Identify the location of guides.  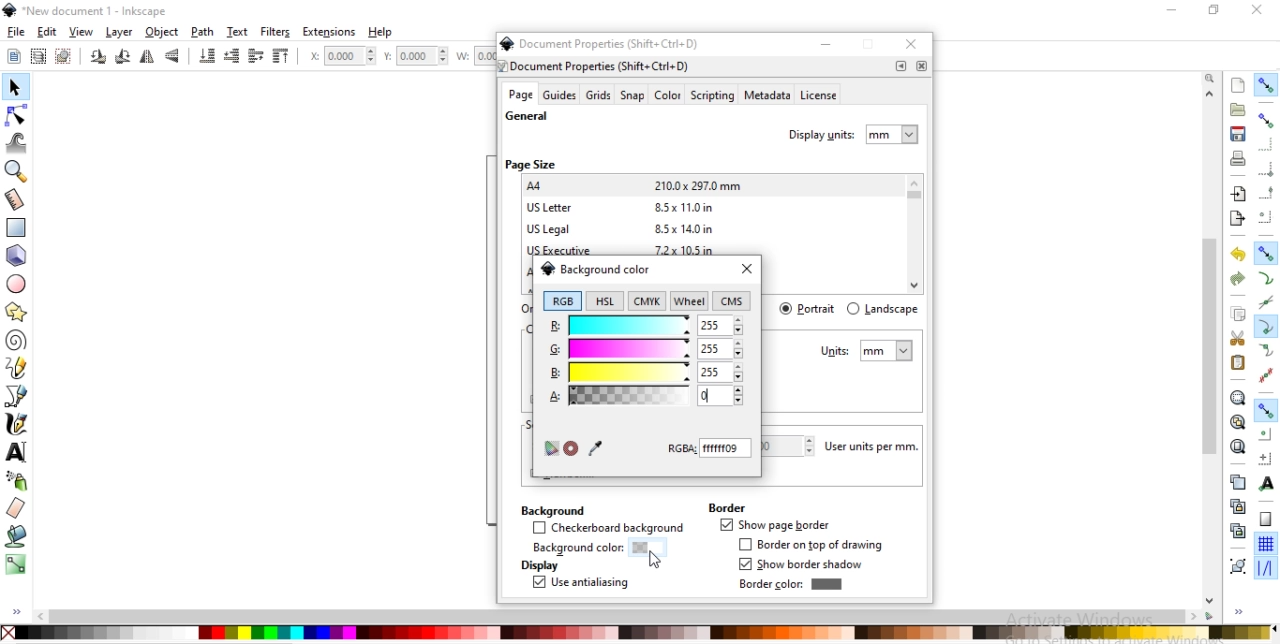
(560, 95).